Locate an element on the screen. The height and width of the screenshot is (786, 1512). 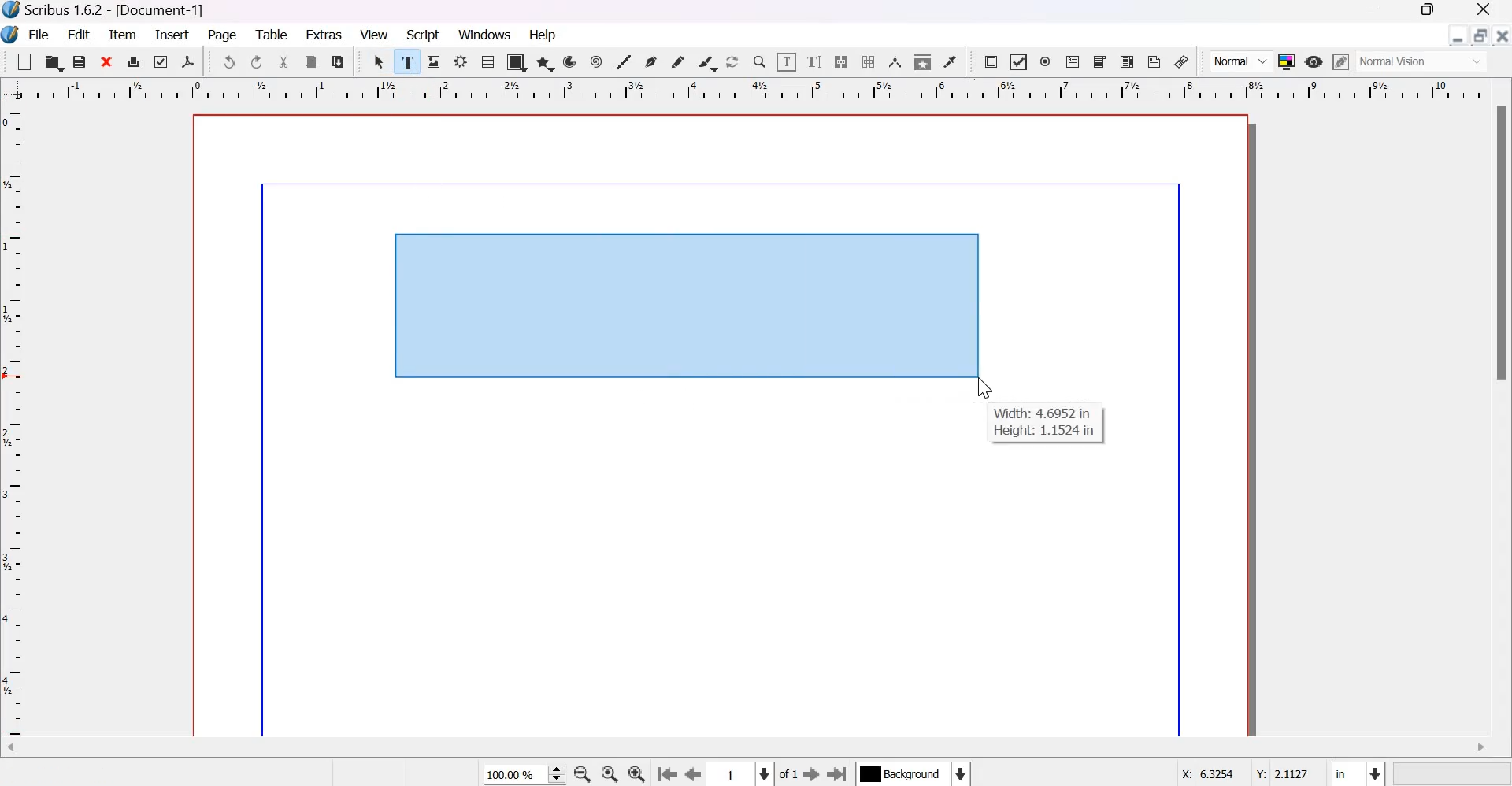
text frame is located at coordinates (682, 308).